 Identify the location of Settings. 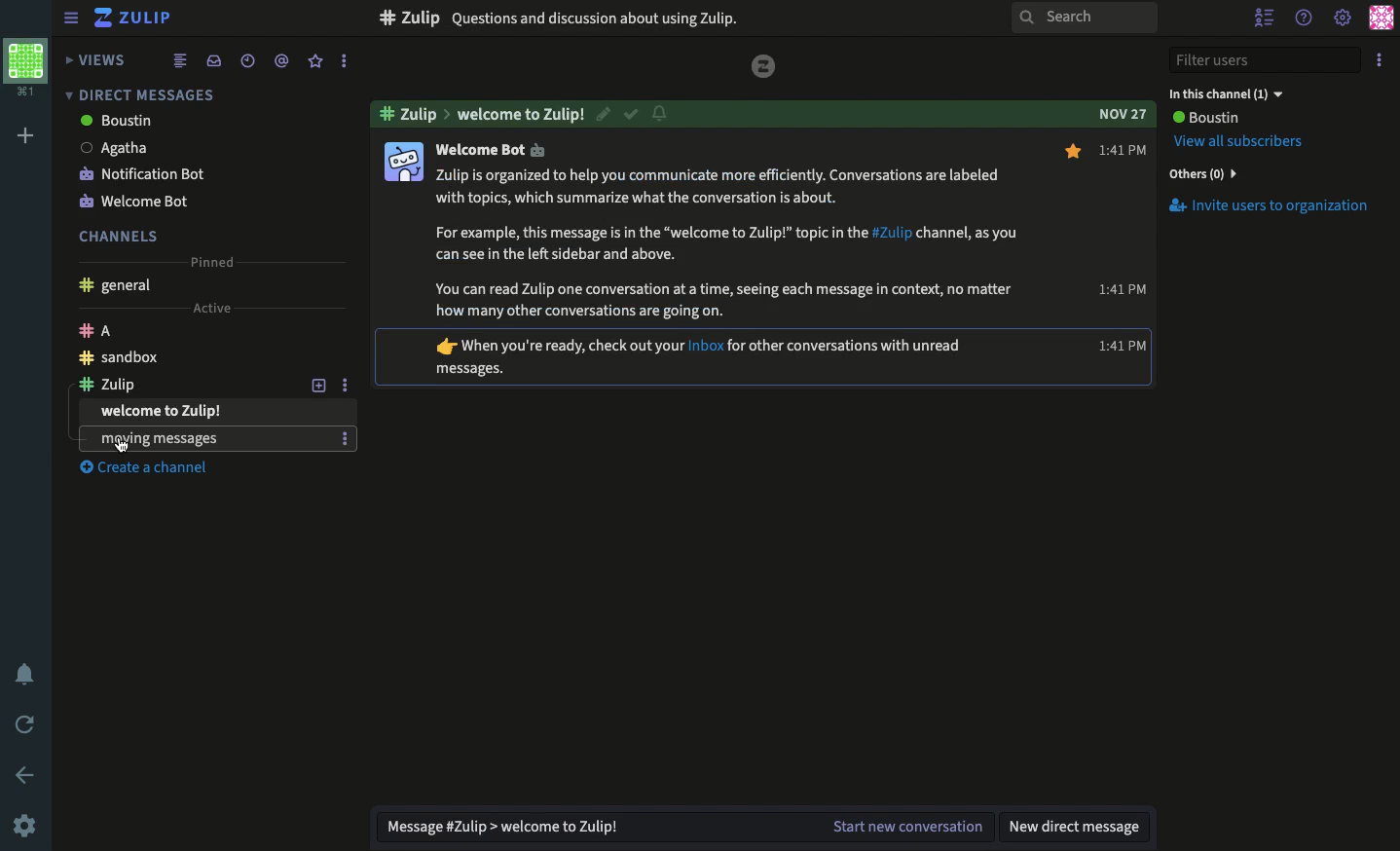
(24, 825).